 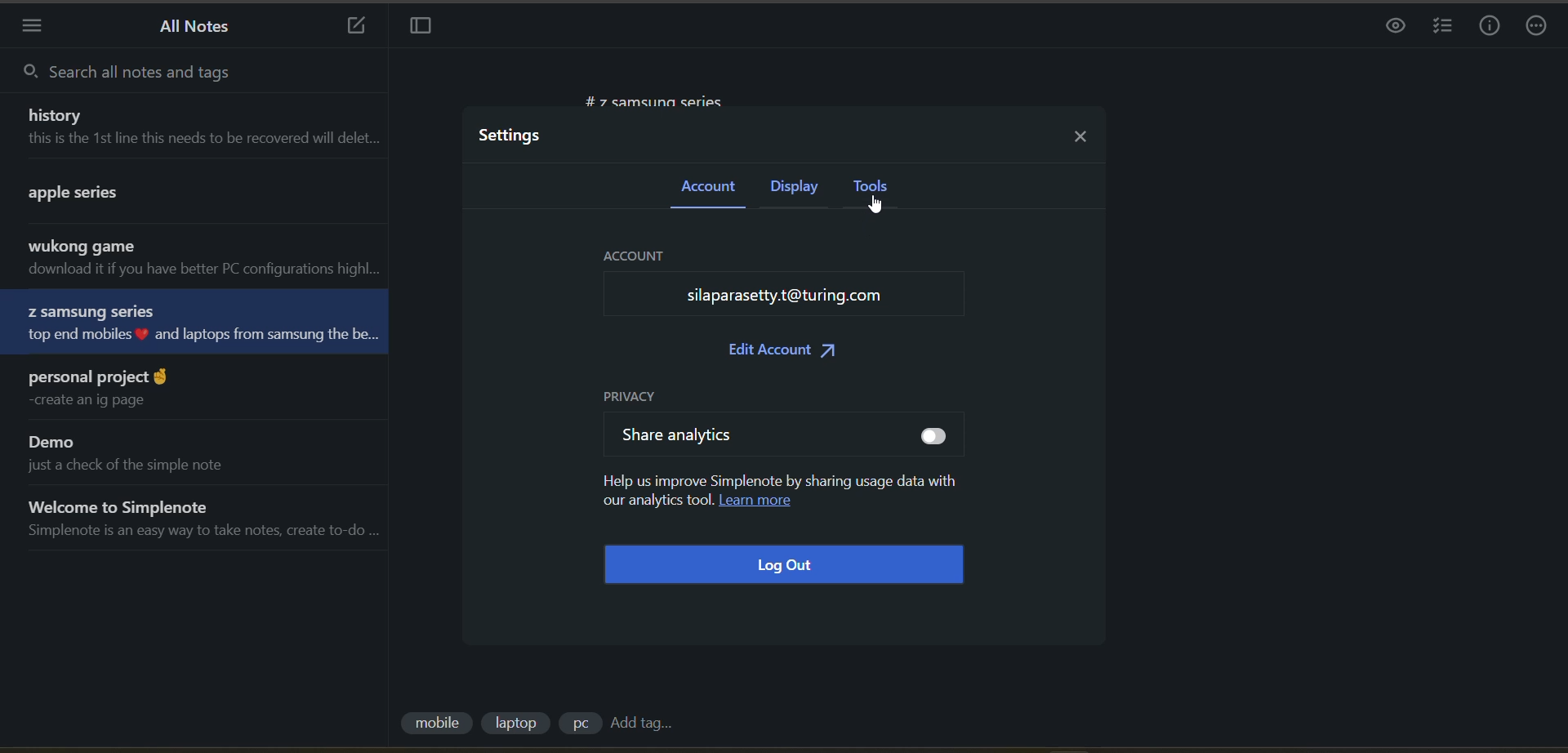 I want to click on all notes, so click(x=203, y=27).